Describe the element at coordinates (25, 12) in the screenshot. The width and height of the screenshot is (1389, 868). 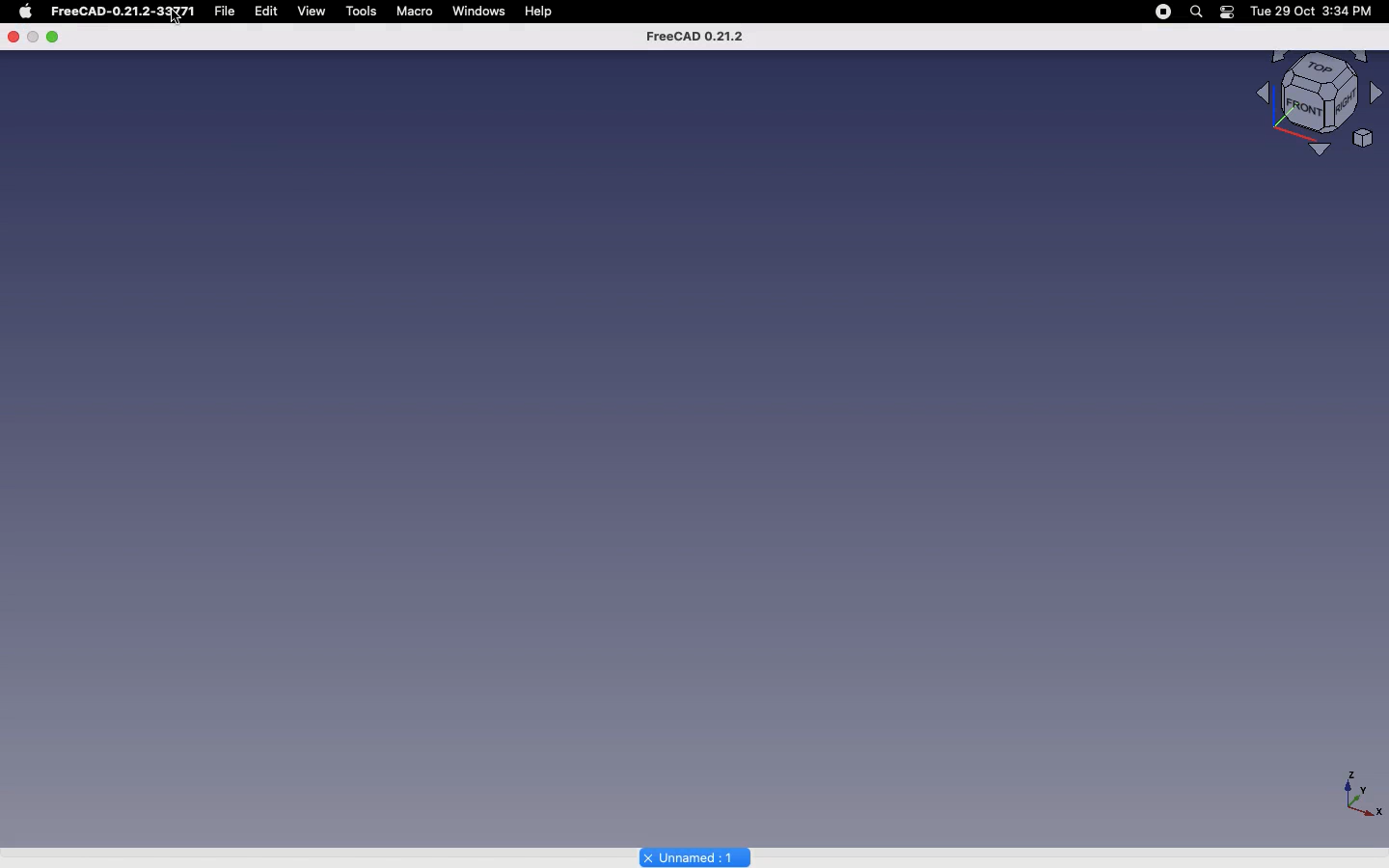
I see `Apple Logo` at that location.